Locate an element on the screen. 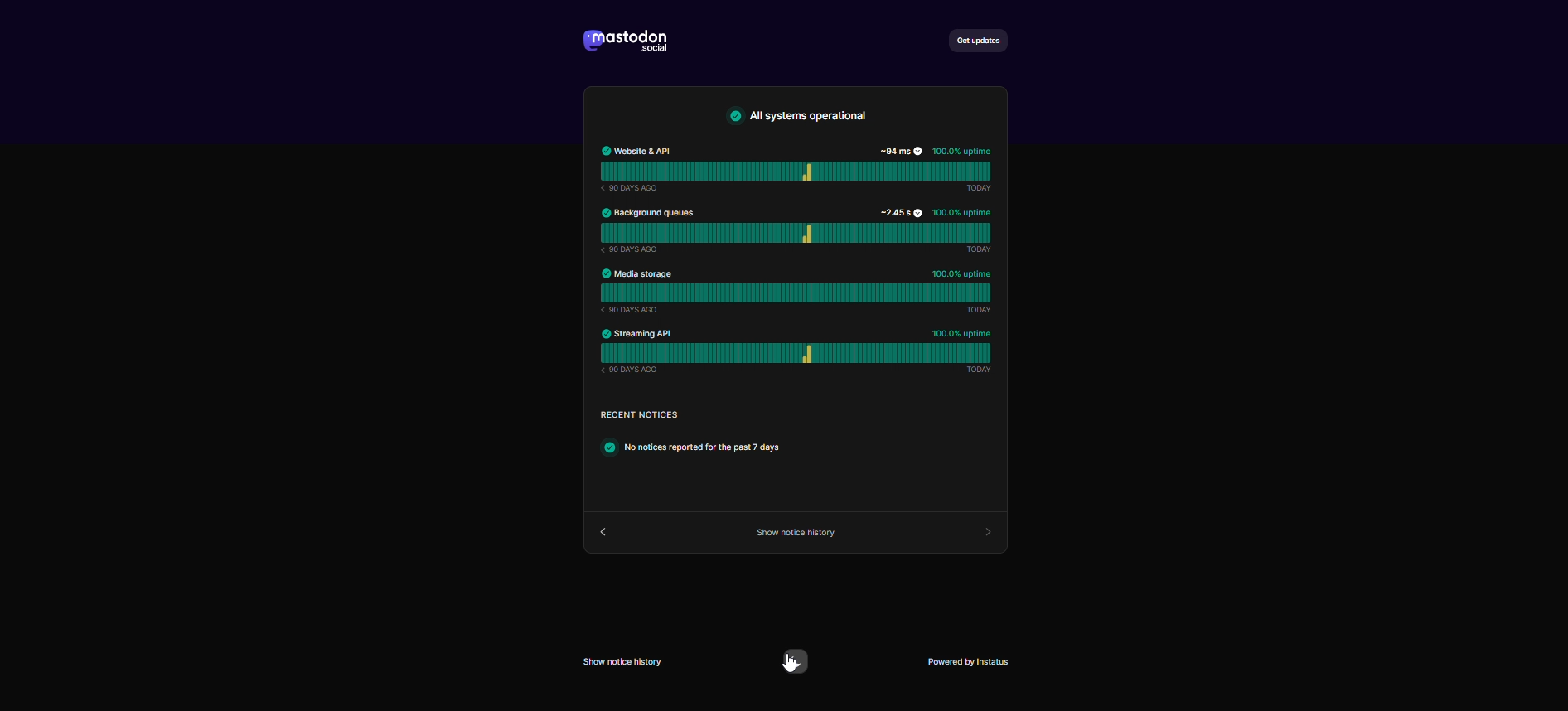 Image resolution: width=1568 pixels, height=711 pixels. text is located at coordinates (642, 413).